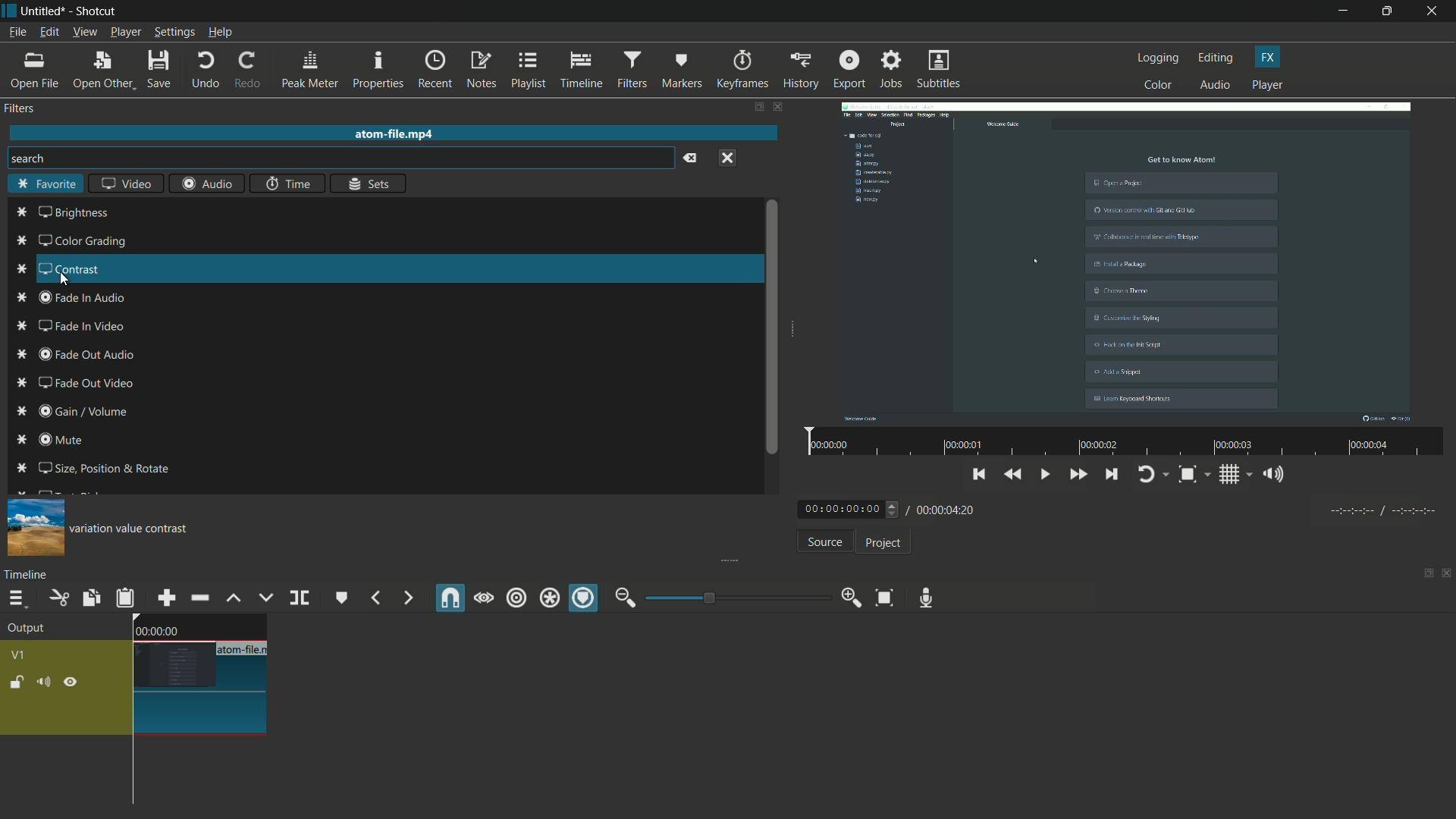 This screenshot has height=819, width=1456. Describe the element at coordinates (342, 598) in the screenshot. I see `create/edit marker` at that location.